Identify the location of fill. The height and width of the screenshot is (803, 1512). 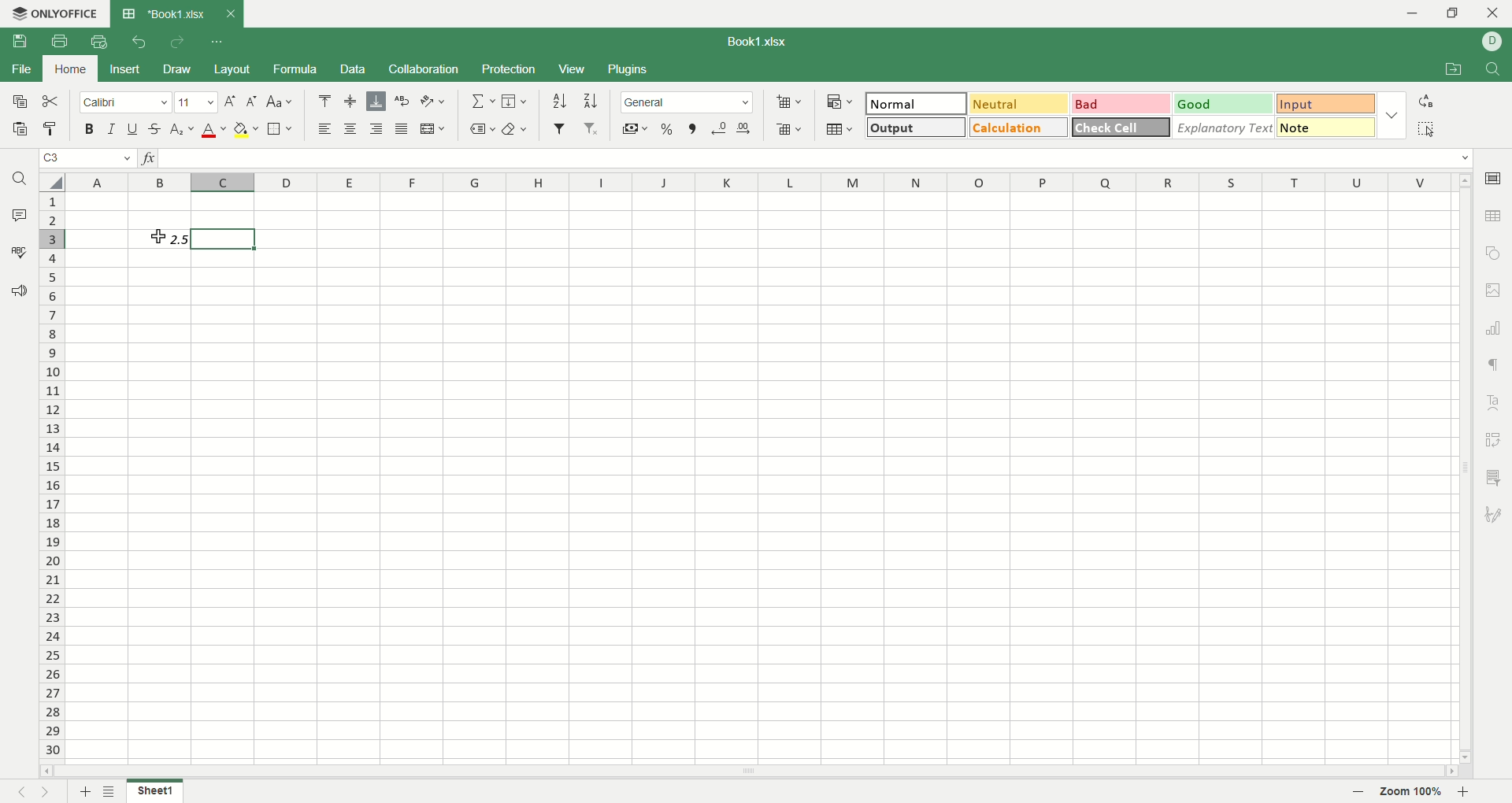
(517, 100).